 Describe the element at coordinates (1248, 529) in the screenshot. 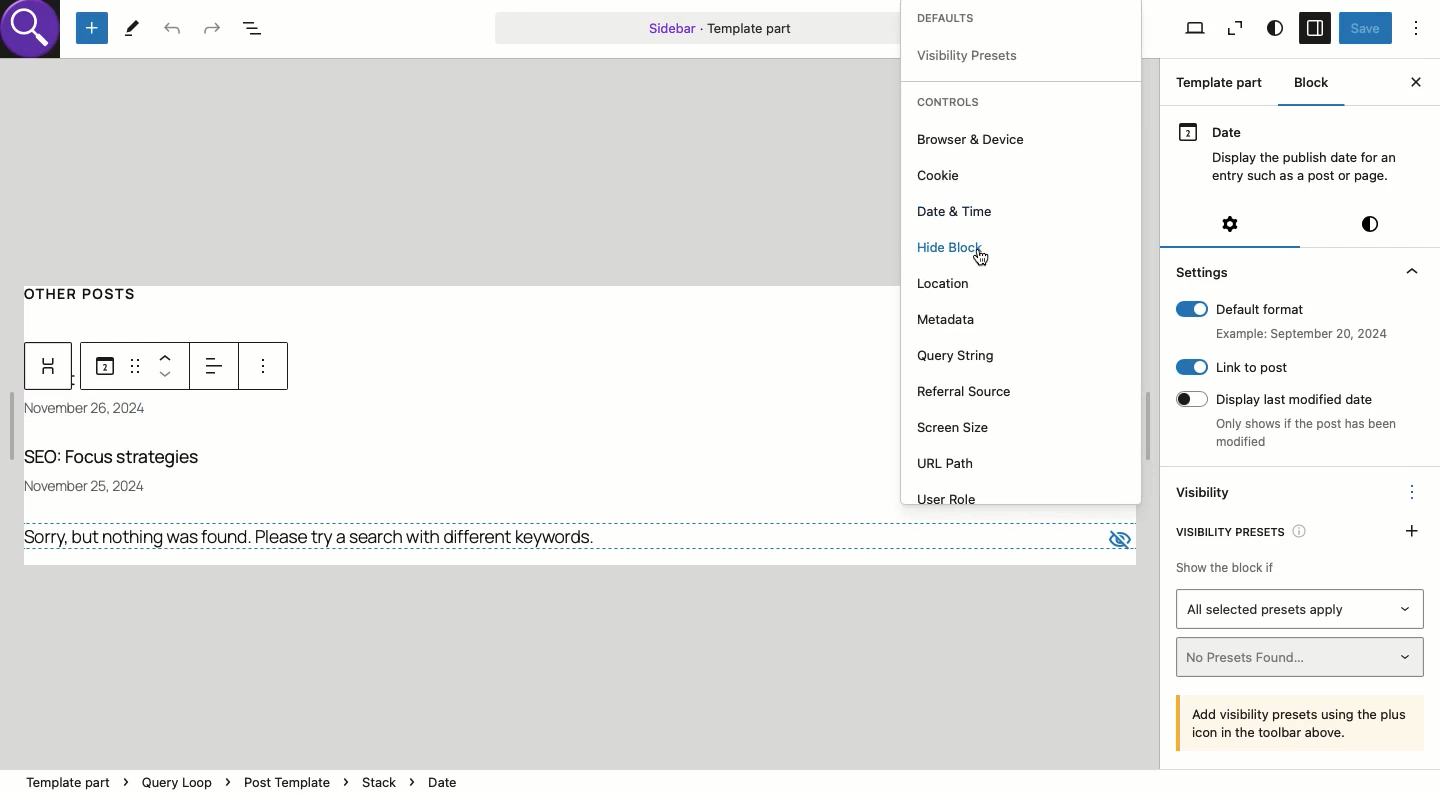

I see `Visibility presets ` at that location.